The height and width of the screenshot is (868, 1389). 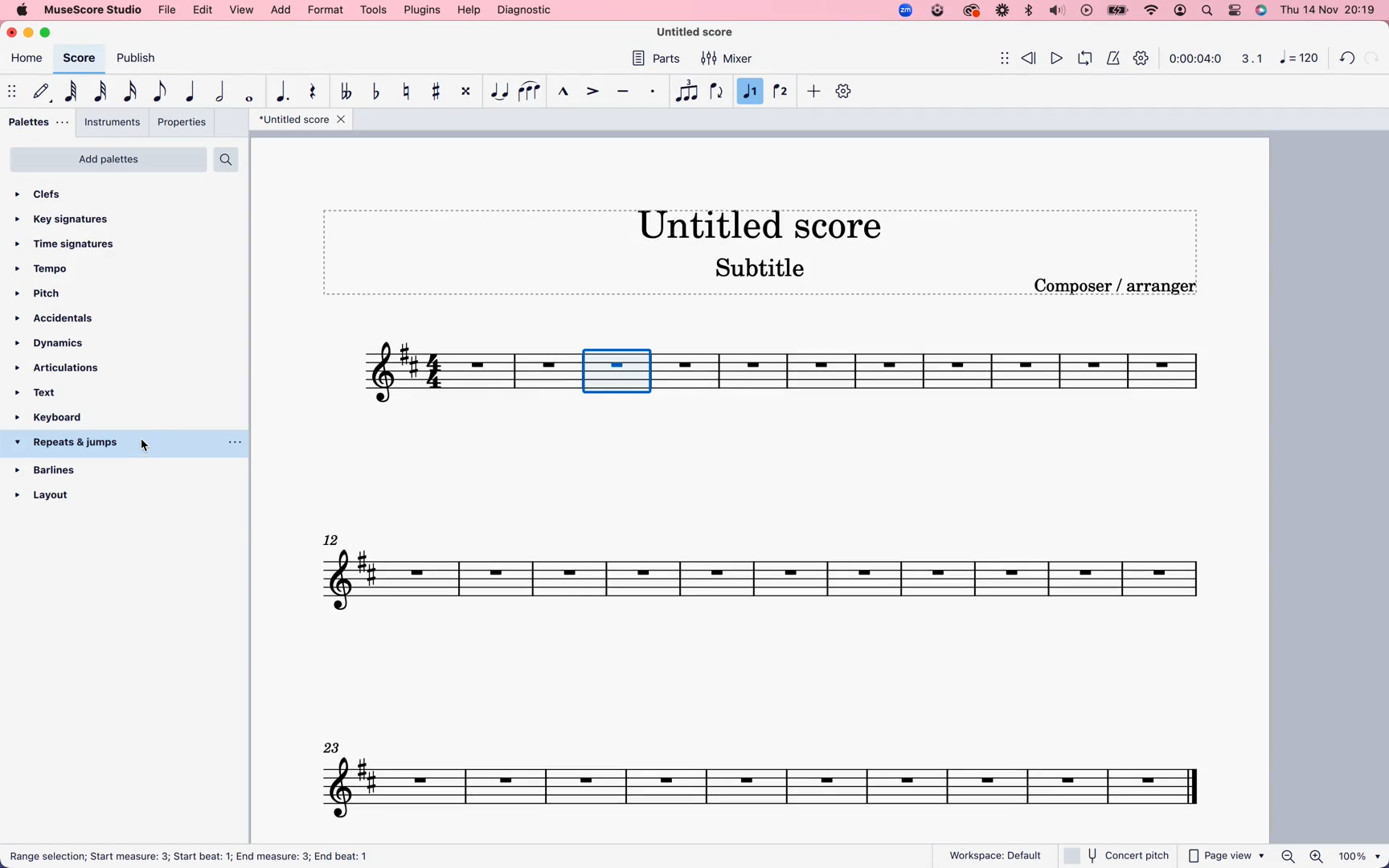 I want to click on 32nd note, so click(x=103, y=91).